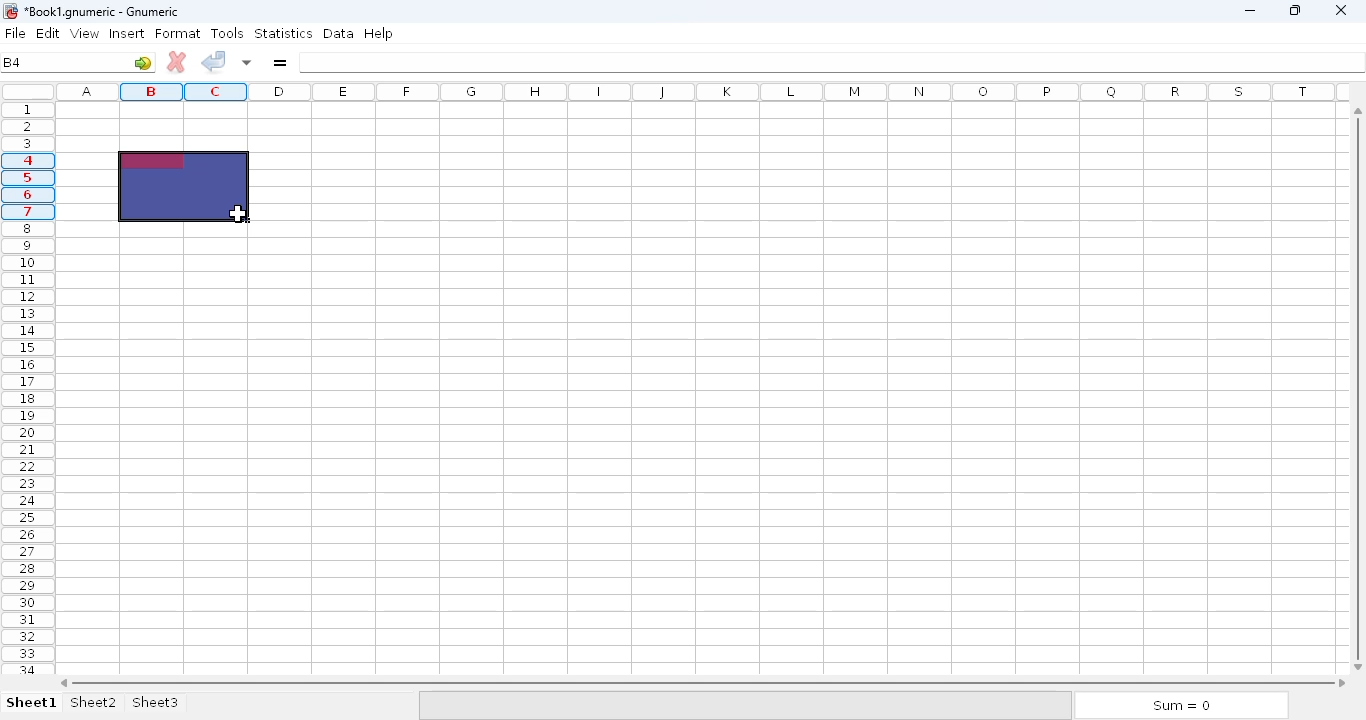 Image resolution: width=1366 pixels, height=720 pixels. I want to click on enter formula, so click(281, 62).